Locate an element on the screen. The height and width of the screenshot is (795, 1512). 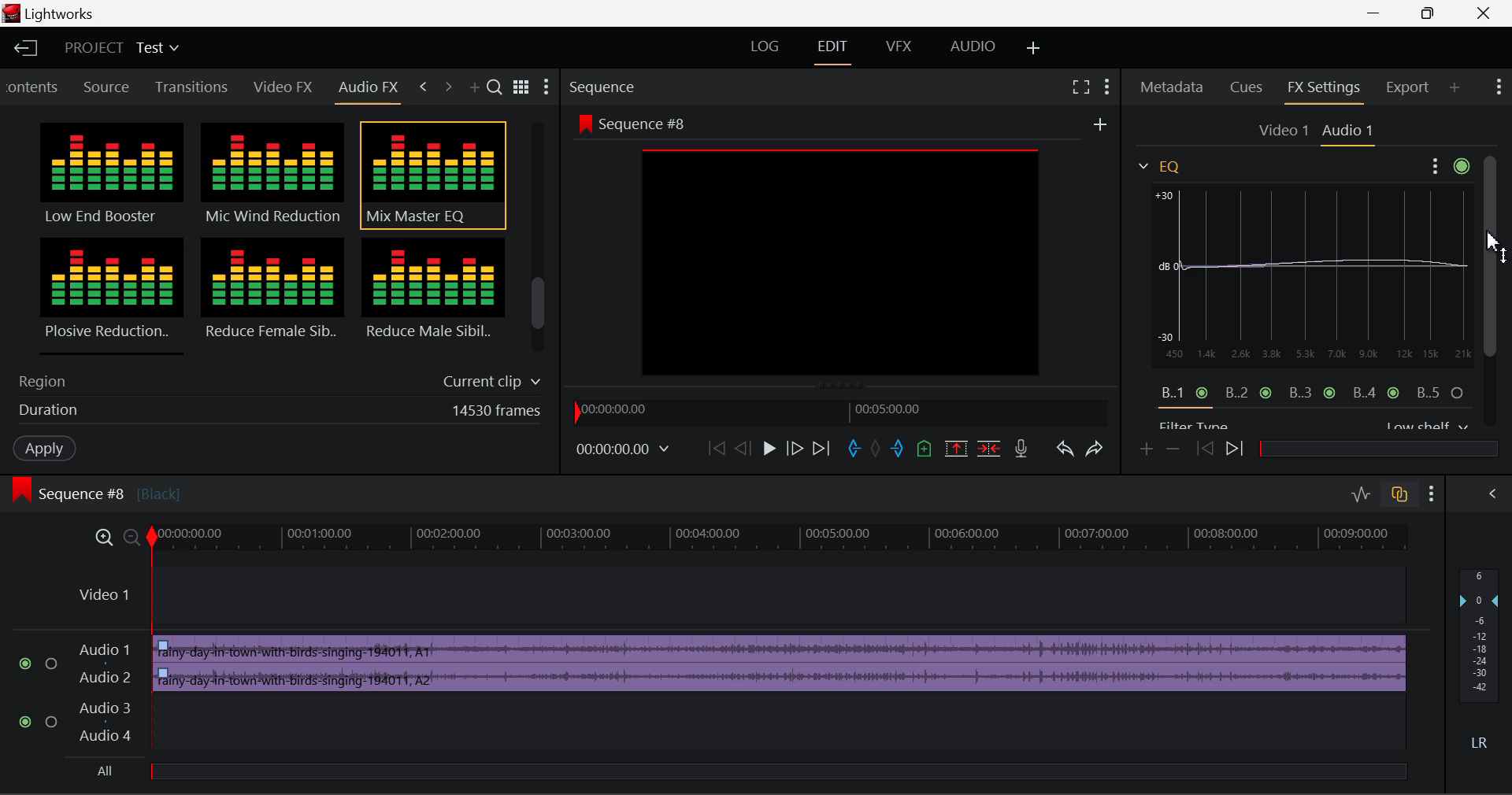
Cues is located at coordinates (1247, 89).